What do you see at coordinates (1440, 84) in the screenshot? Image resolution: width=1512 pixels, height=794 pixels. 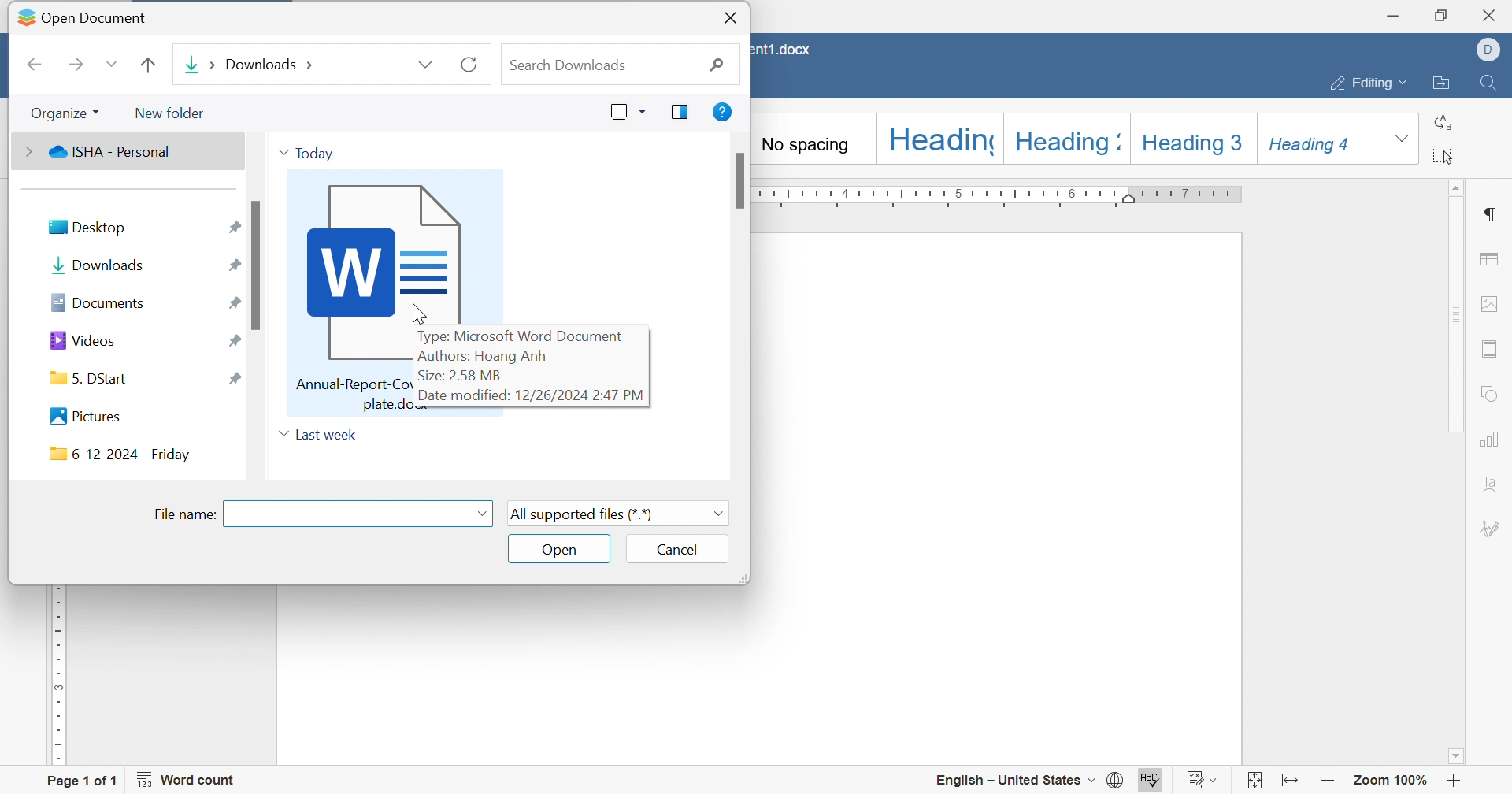 I see `open file location` at bounding box center [1440, 84].